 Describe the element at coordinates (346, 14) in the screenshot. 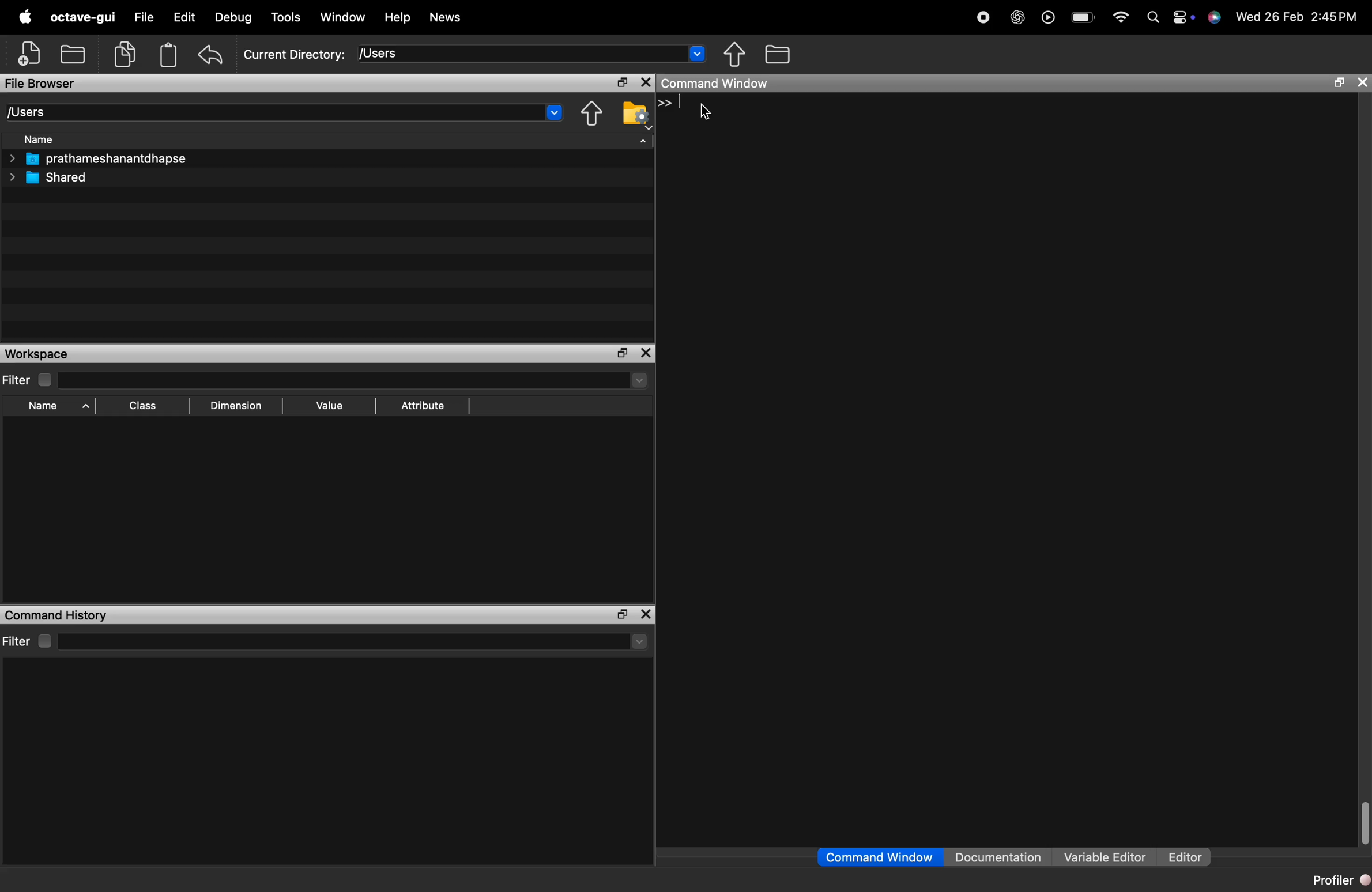

I see `Window` at that location.